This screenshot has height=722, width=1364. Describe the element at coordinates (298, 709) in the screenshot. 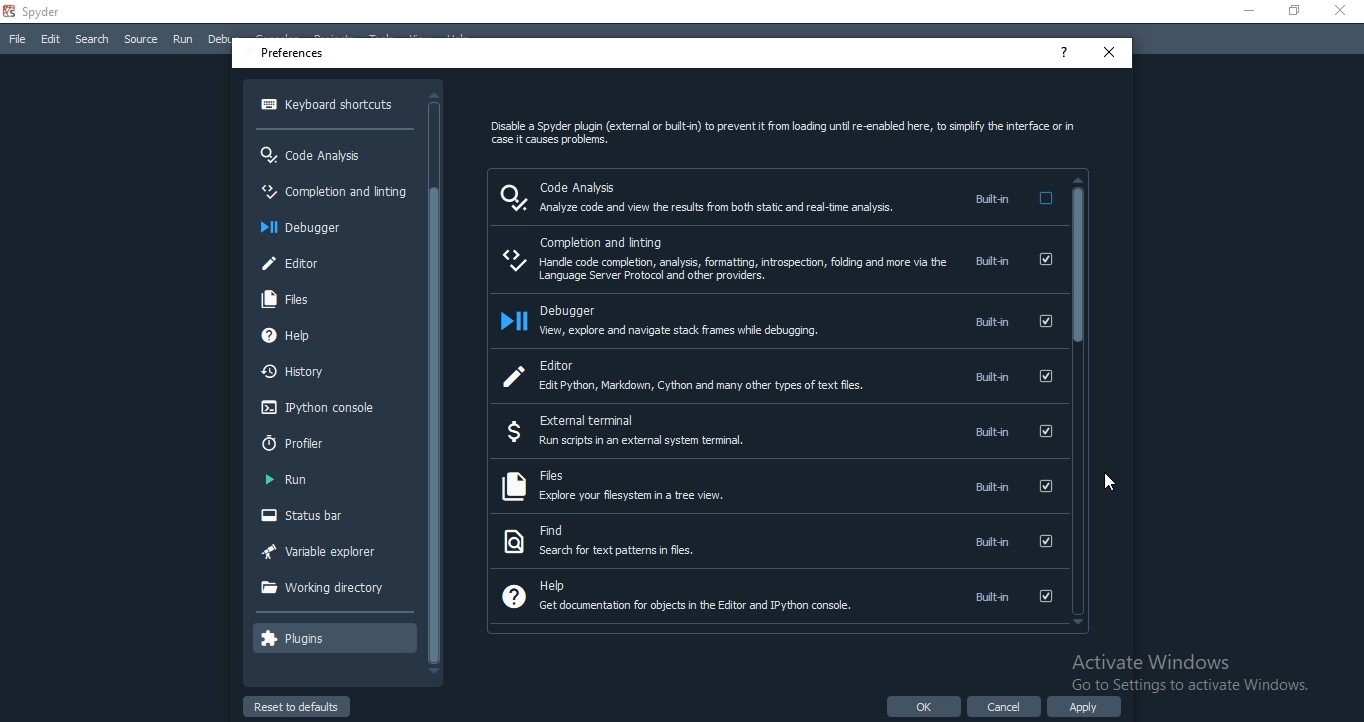

I see `reset to defaults` at that location.